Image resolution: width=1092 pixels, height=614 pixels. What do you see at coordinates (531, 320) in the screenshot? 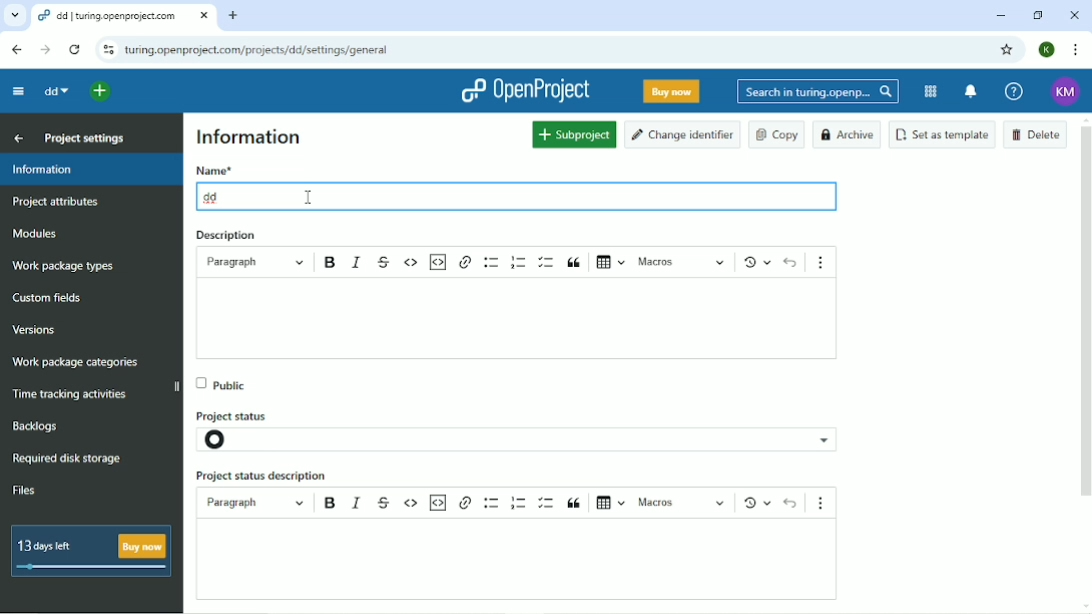
I see `text box` at bounding box center [531, 320].